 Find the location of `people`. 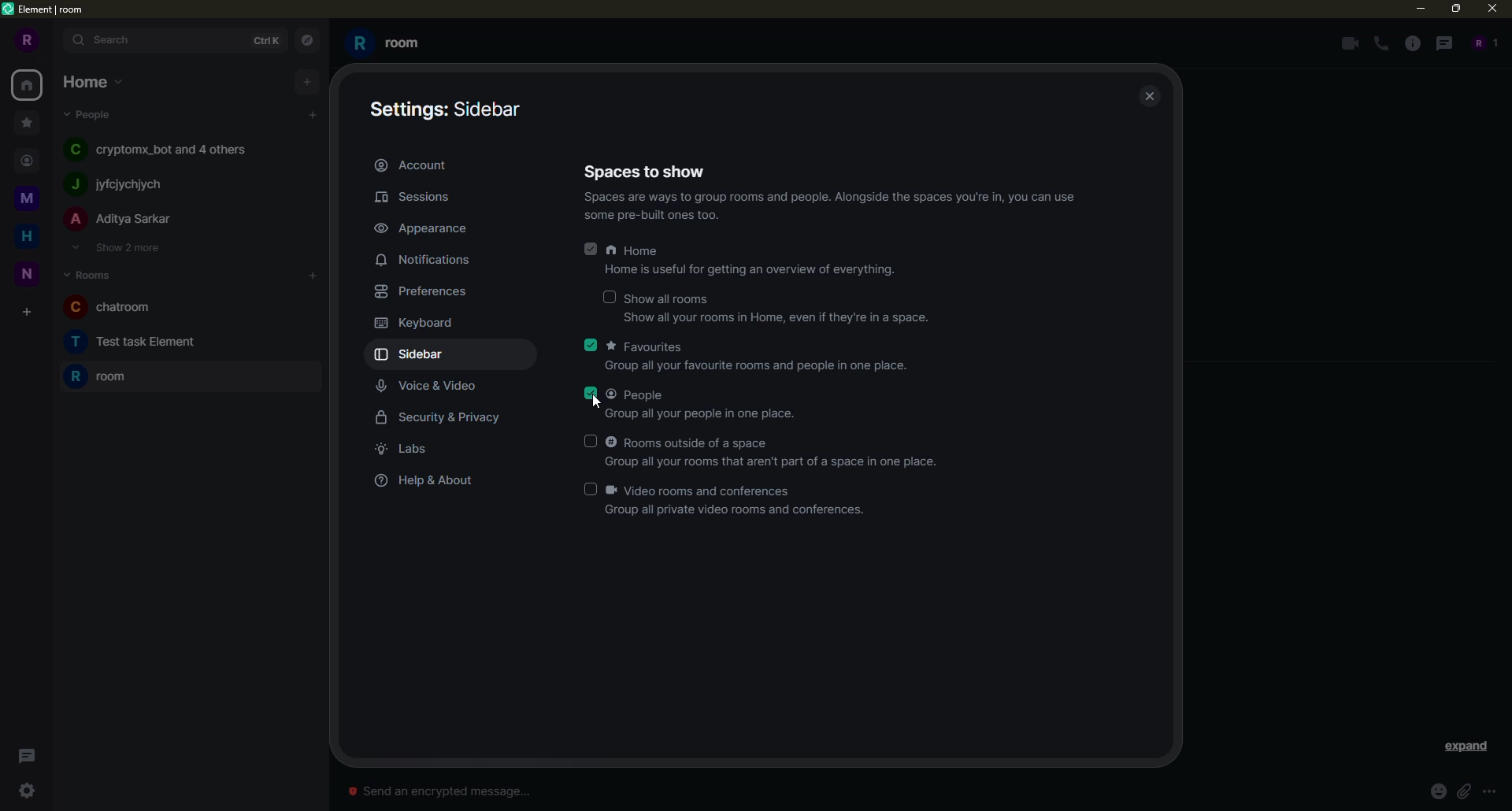

people is located at coordinates (90, 115).